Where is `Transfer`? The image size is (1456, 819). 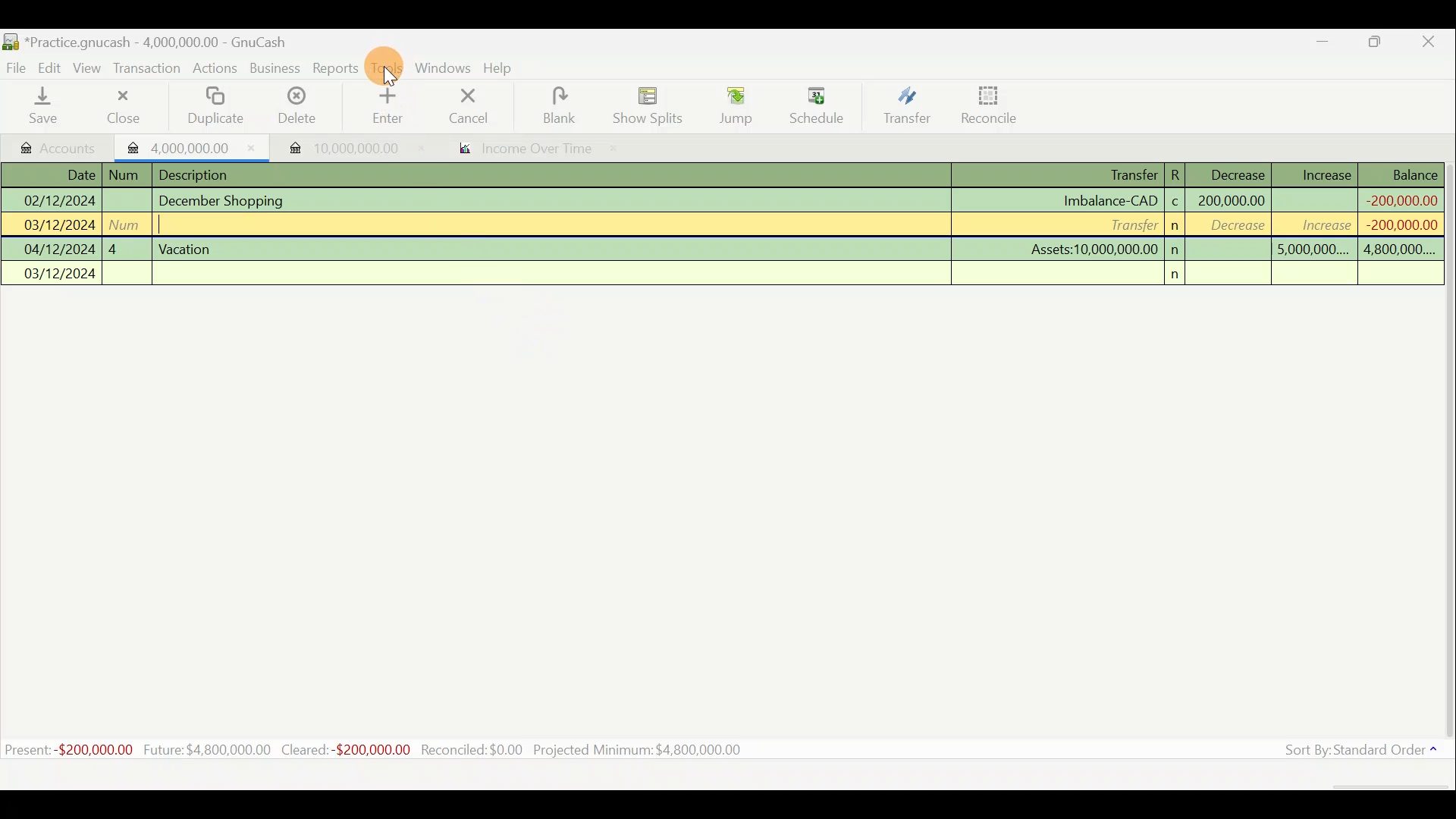 Transfer is located at coordinates (904, 108).